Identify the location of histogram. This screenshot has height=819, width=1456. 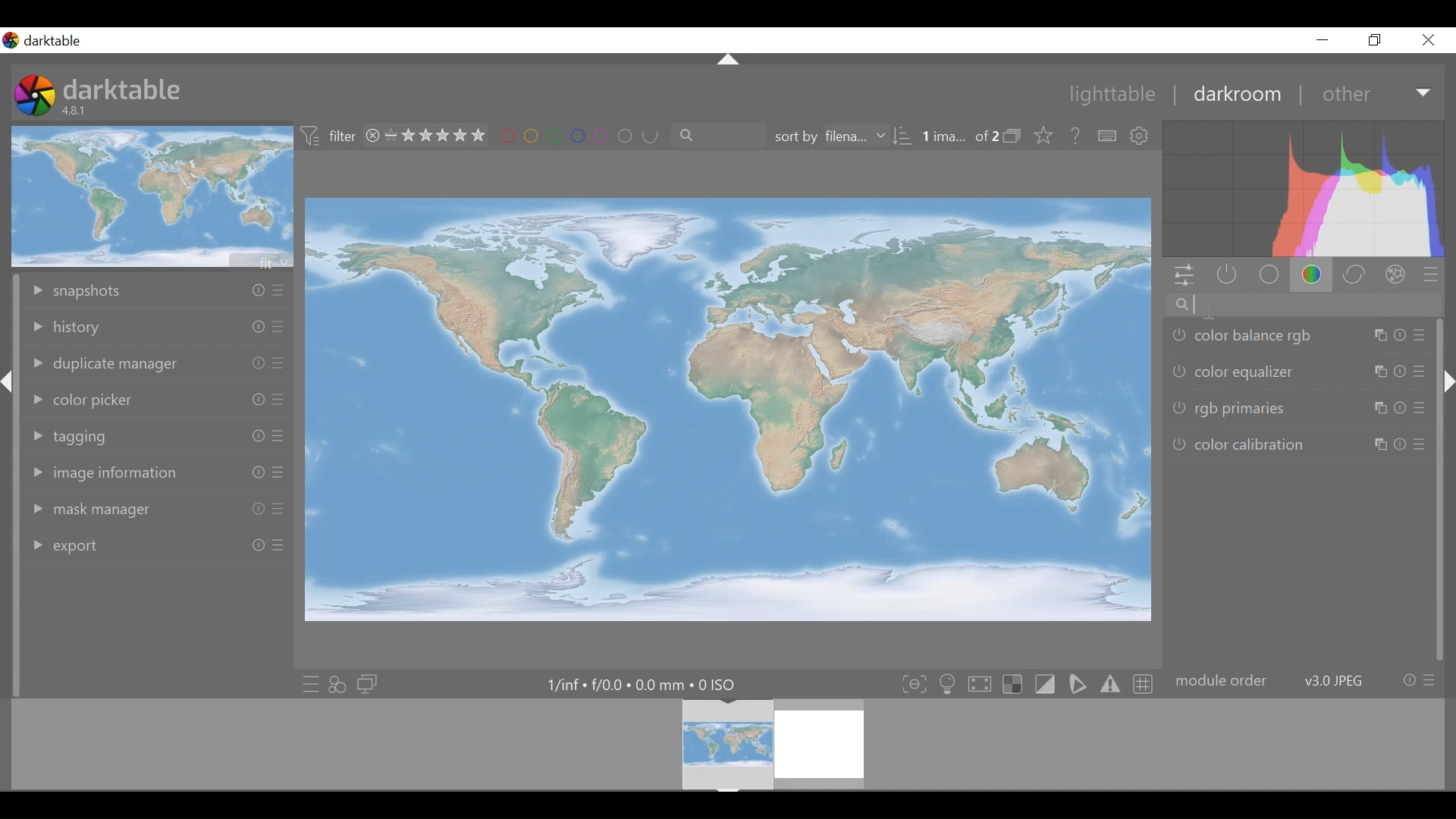
(1303, 189).